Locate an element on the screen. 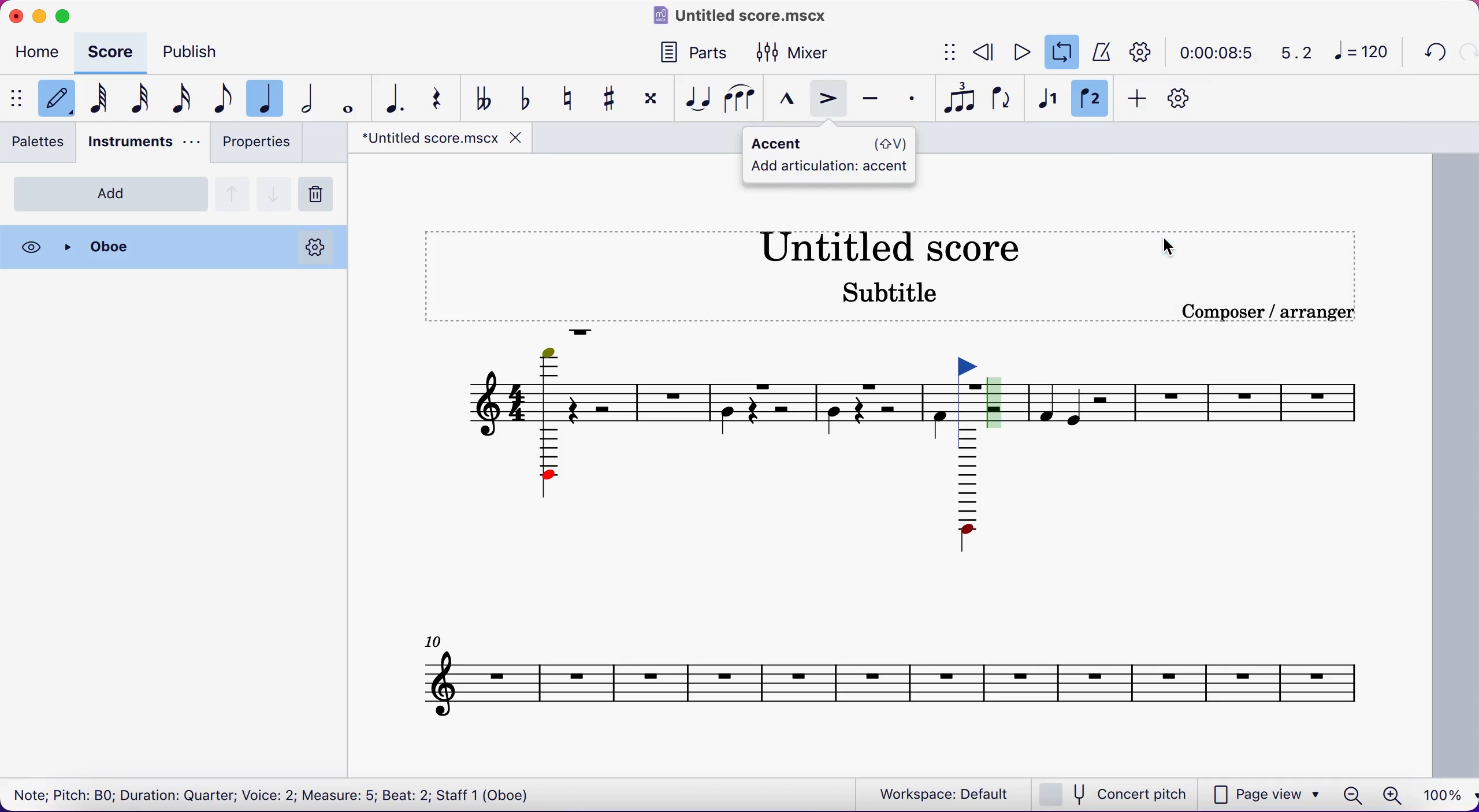 Image resolution: width=1479 pixels, height=812 pixels. play is located at coordinates (1021, 51).